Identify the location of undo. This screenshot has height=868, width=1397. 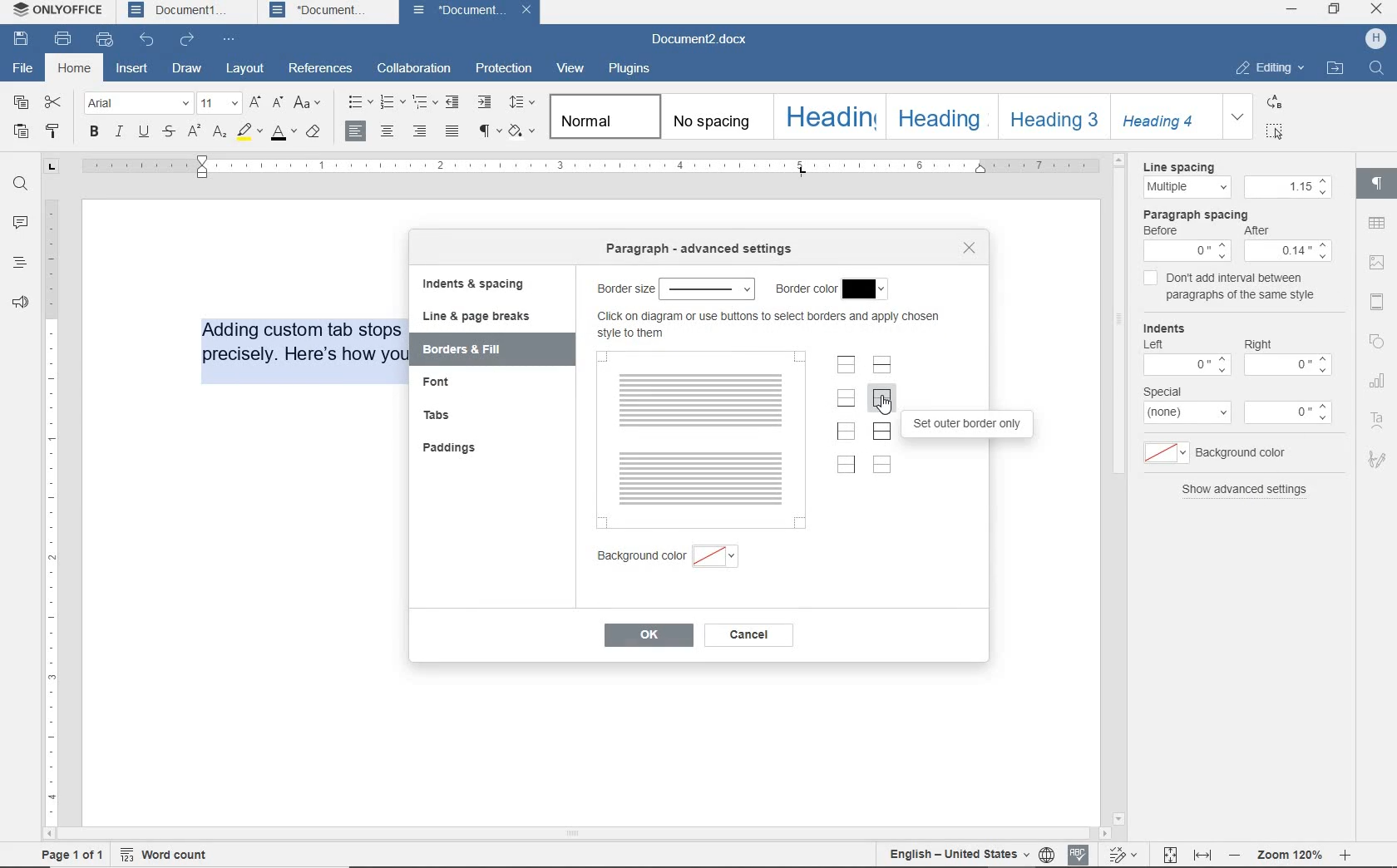
(147, 42).